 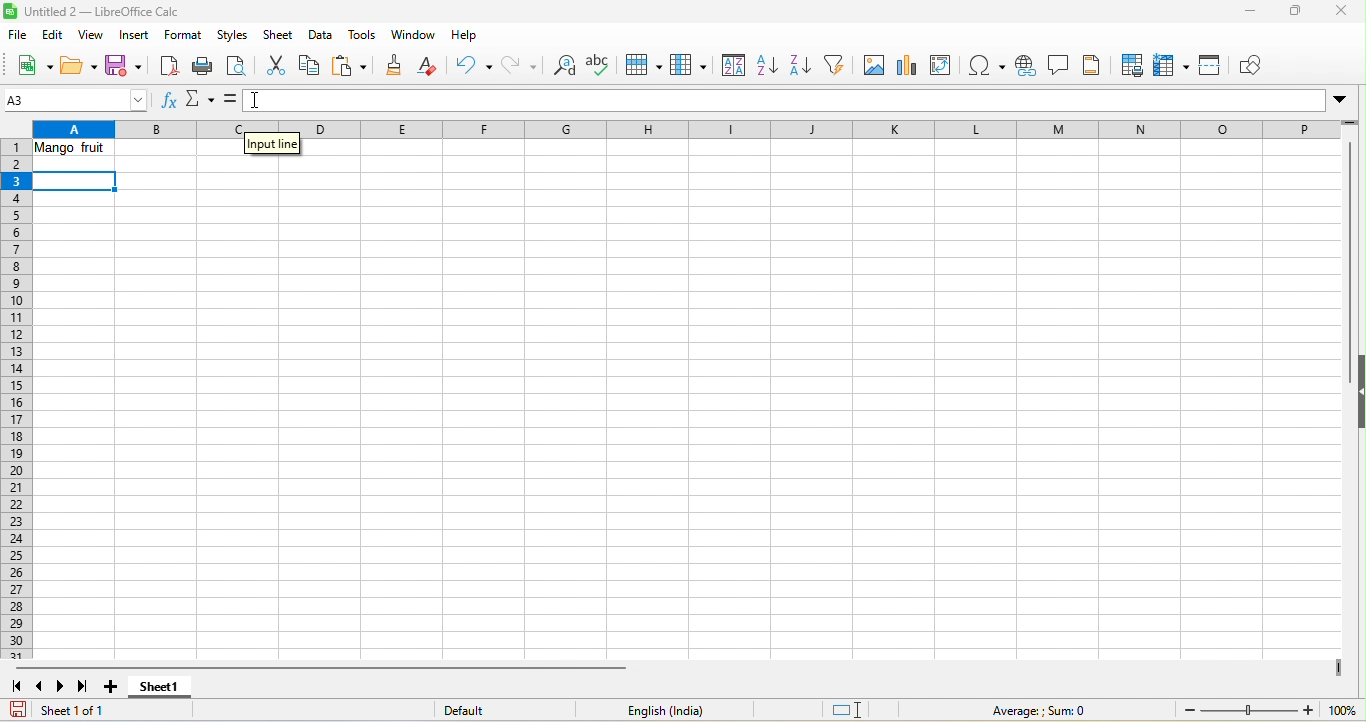 What do you see at coordinates (98, 8) in the screenshot?
I see `untitled 2- libreoffice calc` at bounding box center [98, 8].